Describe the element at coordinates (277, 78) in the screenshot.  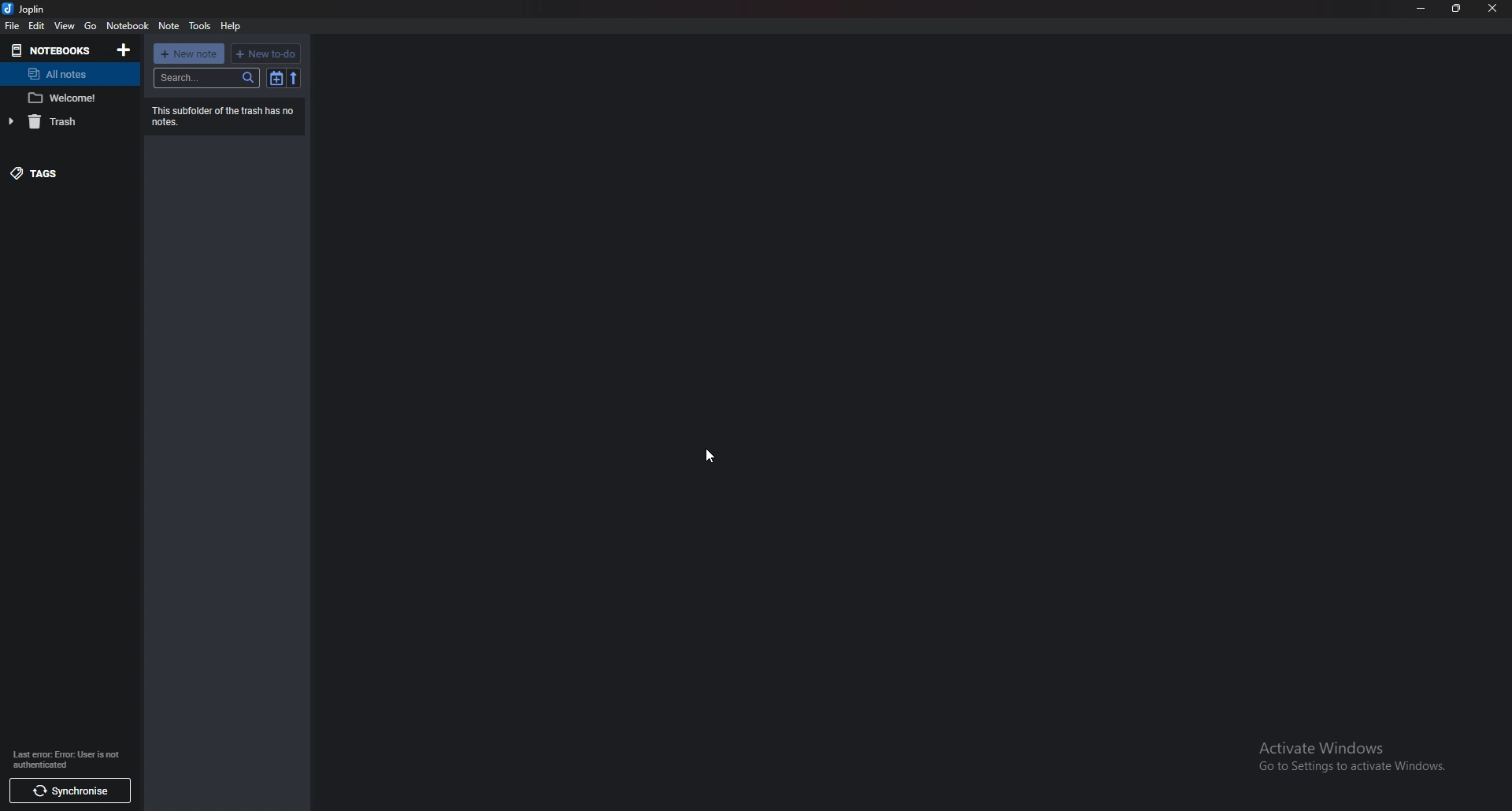
I see `Toggle sort order` at that location.